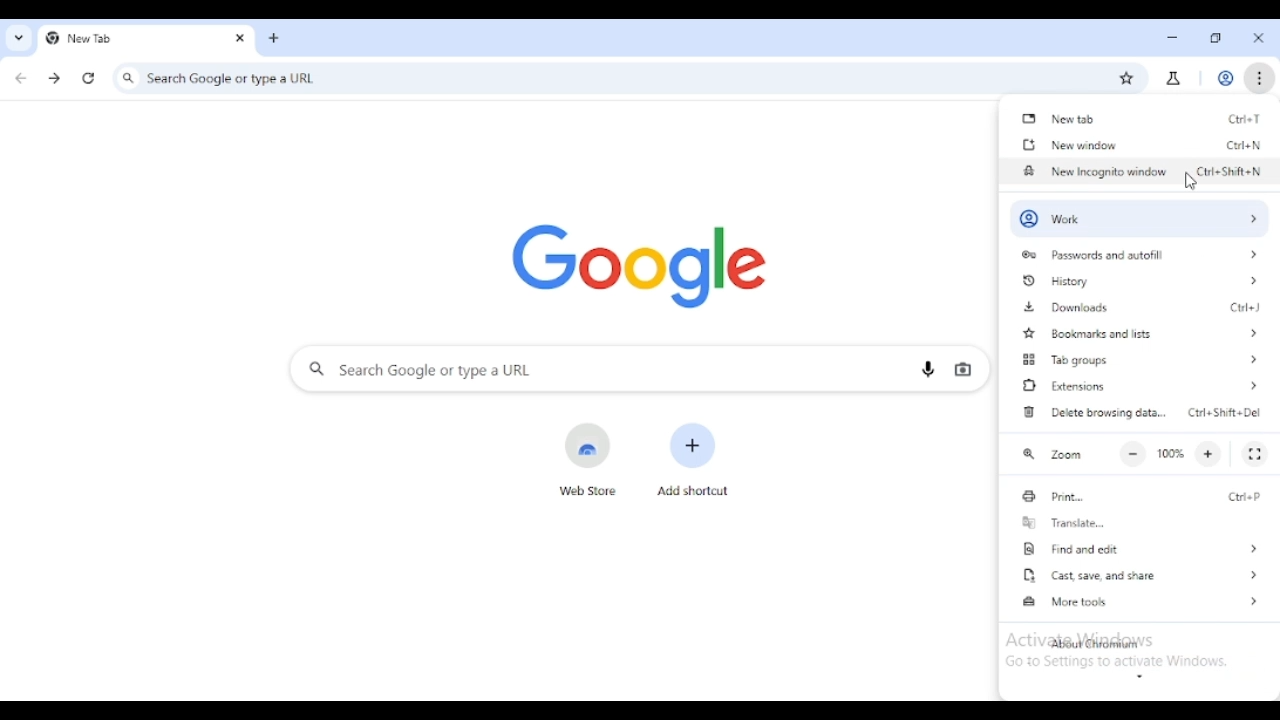  Describe the element at coordinates (1141, 574) in the screenshot. I see `cast, save, and share` at that location.